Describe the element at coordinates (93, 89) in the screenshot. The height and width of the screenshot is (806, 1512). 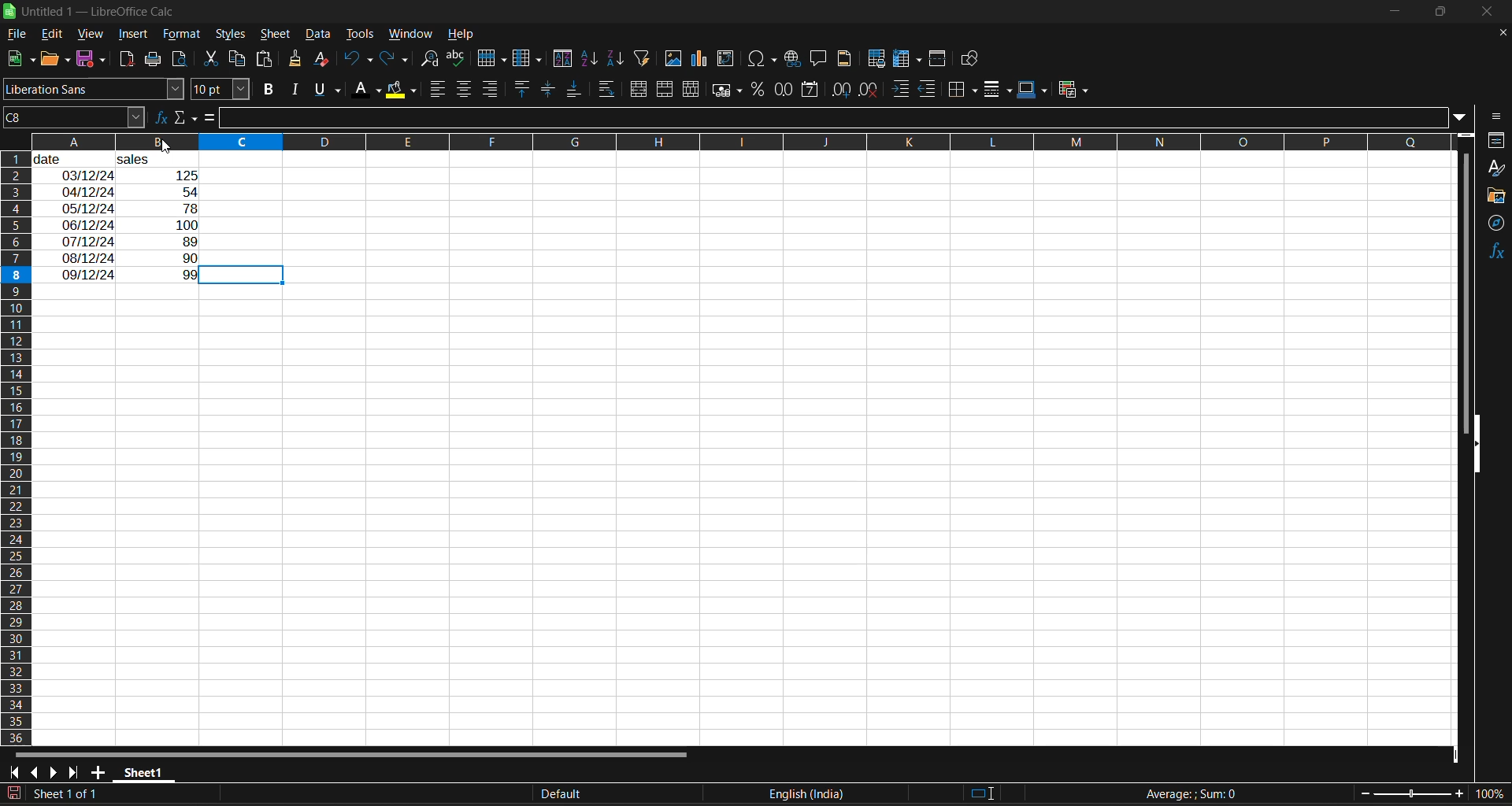
I see `font name` at that location.